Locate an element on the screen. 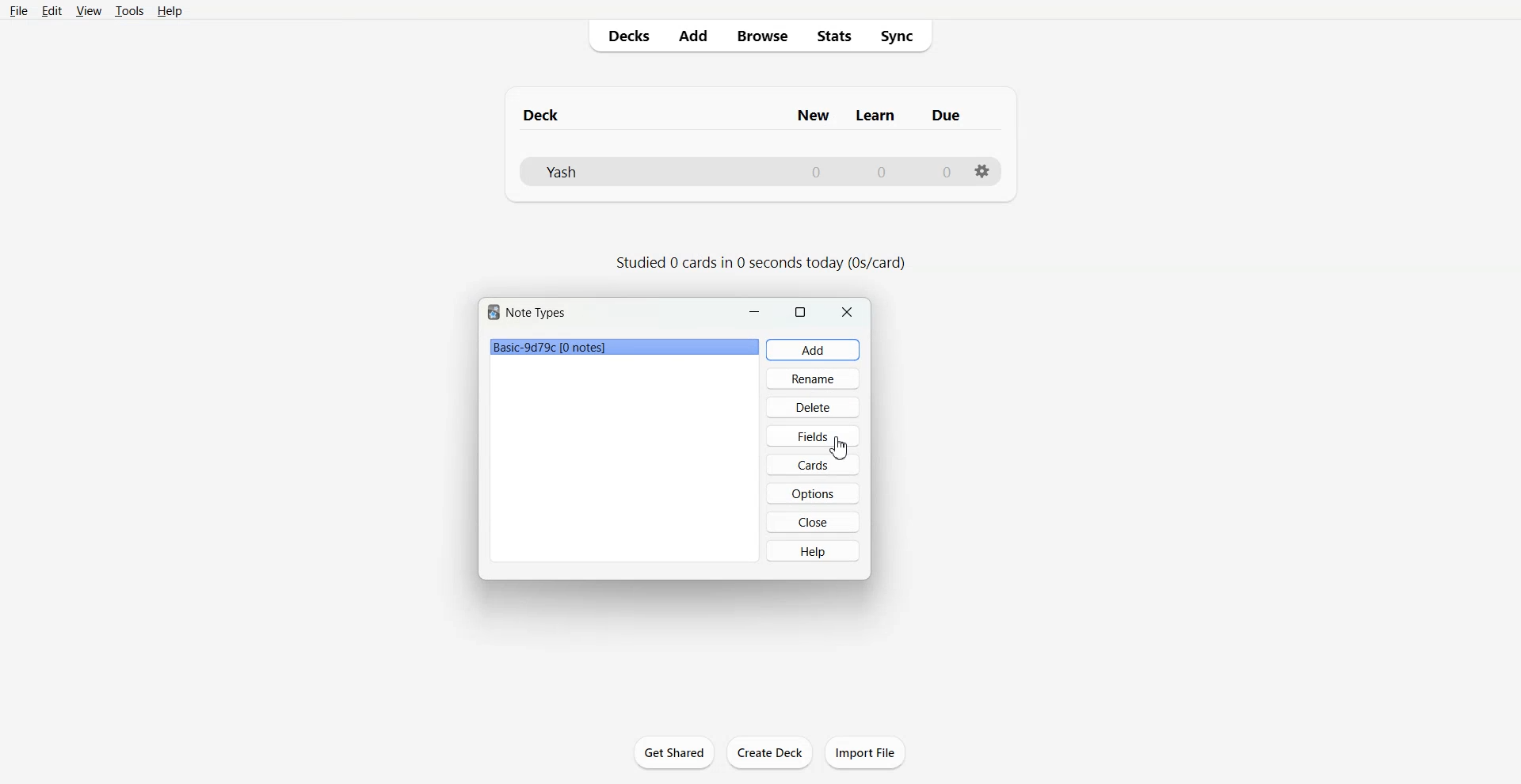 Image resolution: width=1521 pixels, height=784 pixels. Browse is located at coordinates (761, 36).